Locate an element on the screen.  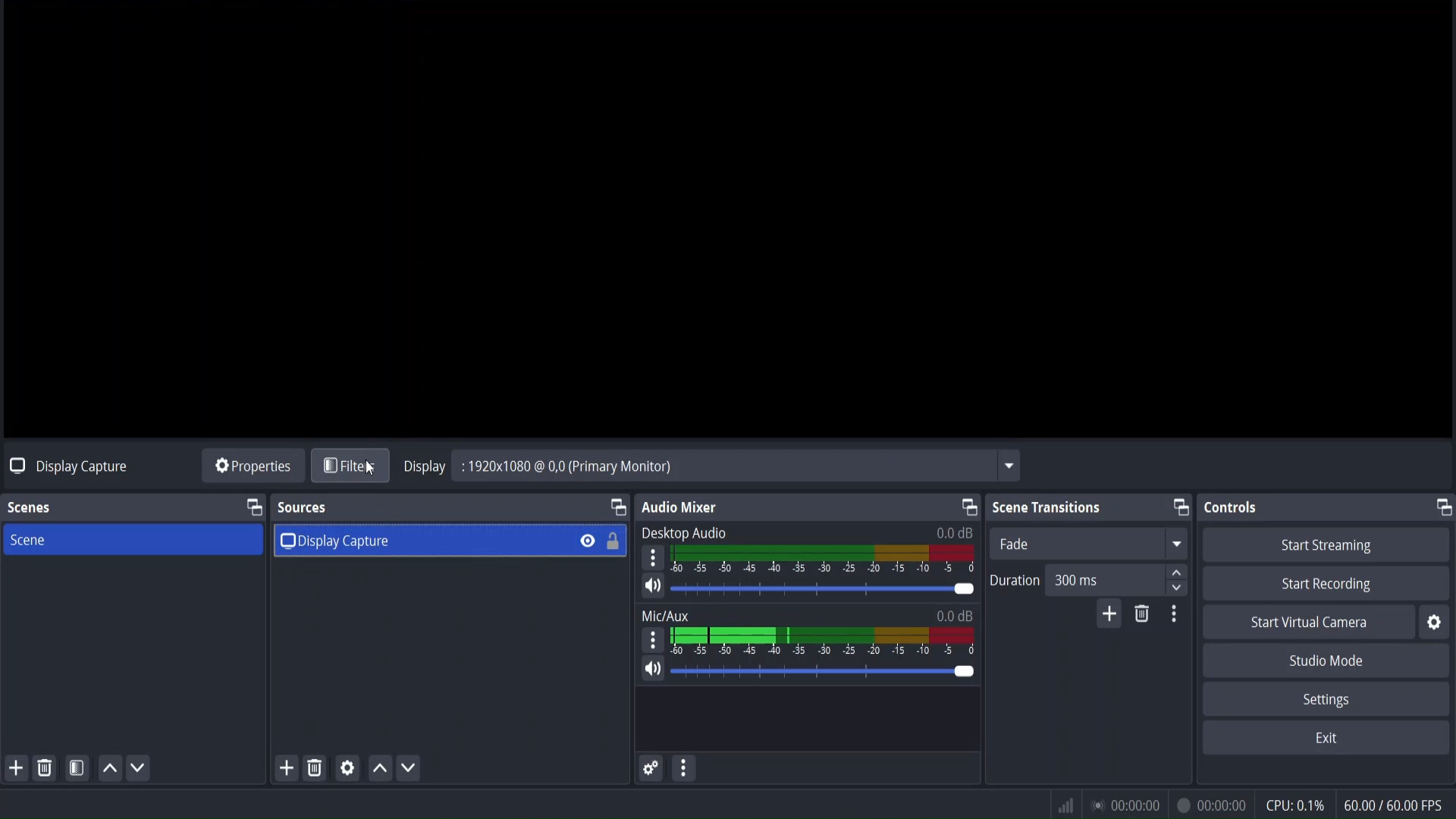
cursor is located at coordinates (371, 468).